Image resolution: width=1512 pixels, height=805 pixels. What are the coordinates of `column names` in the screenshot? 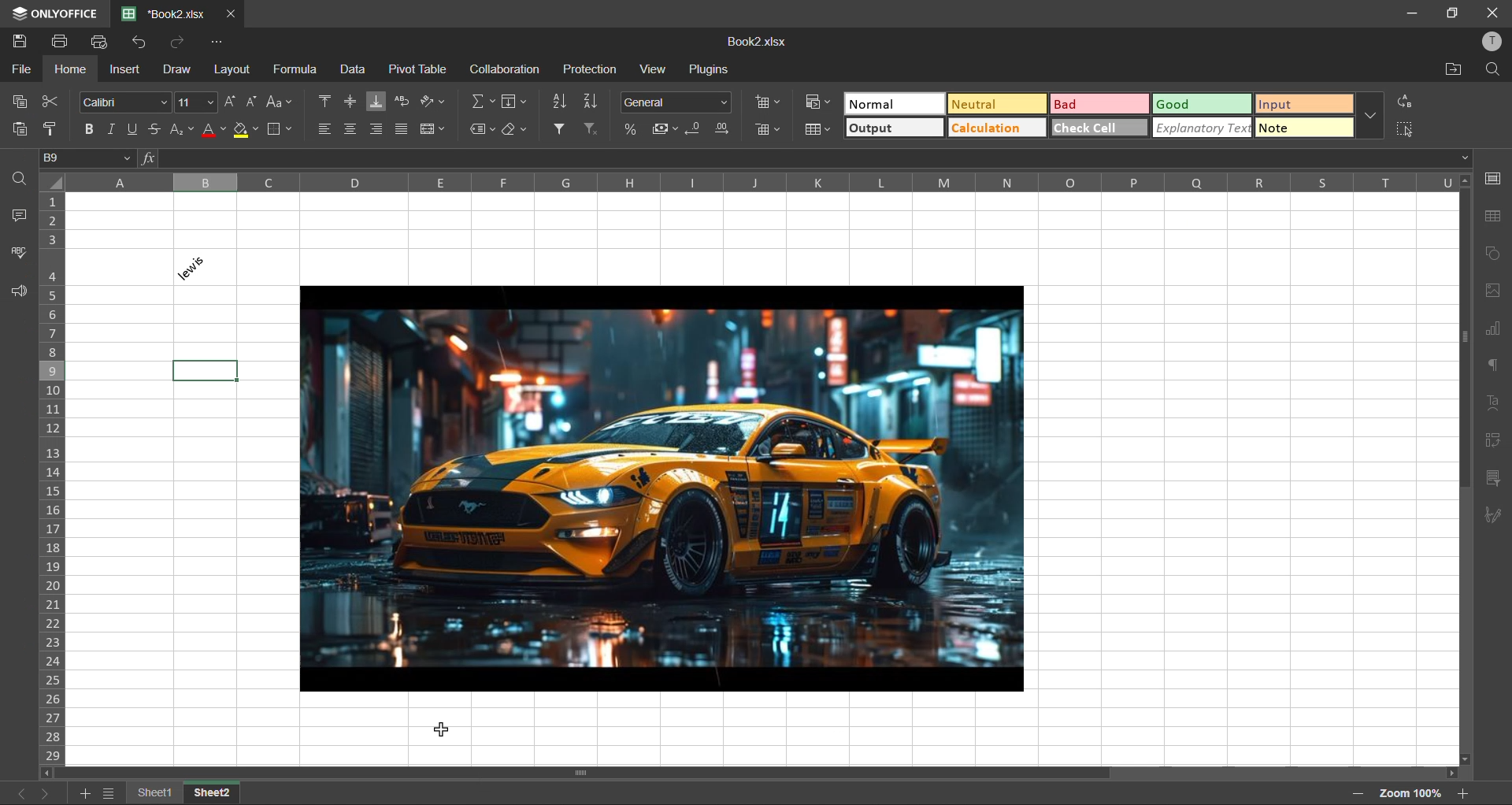 It's located at (760, 182).